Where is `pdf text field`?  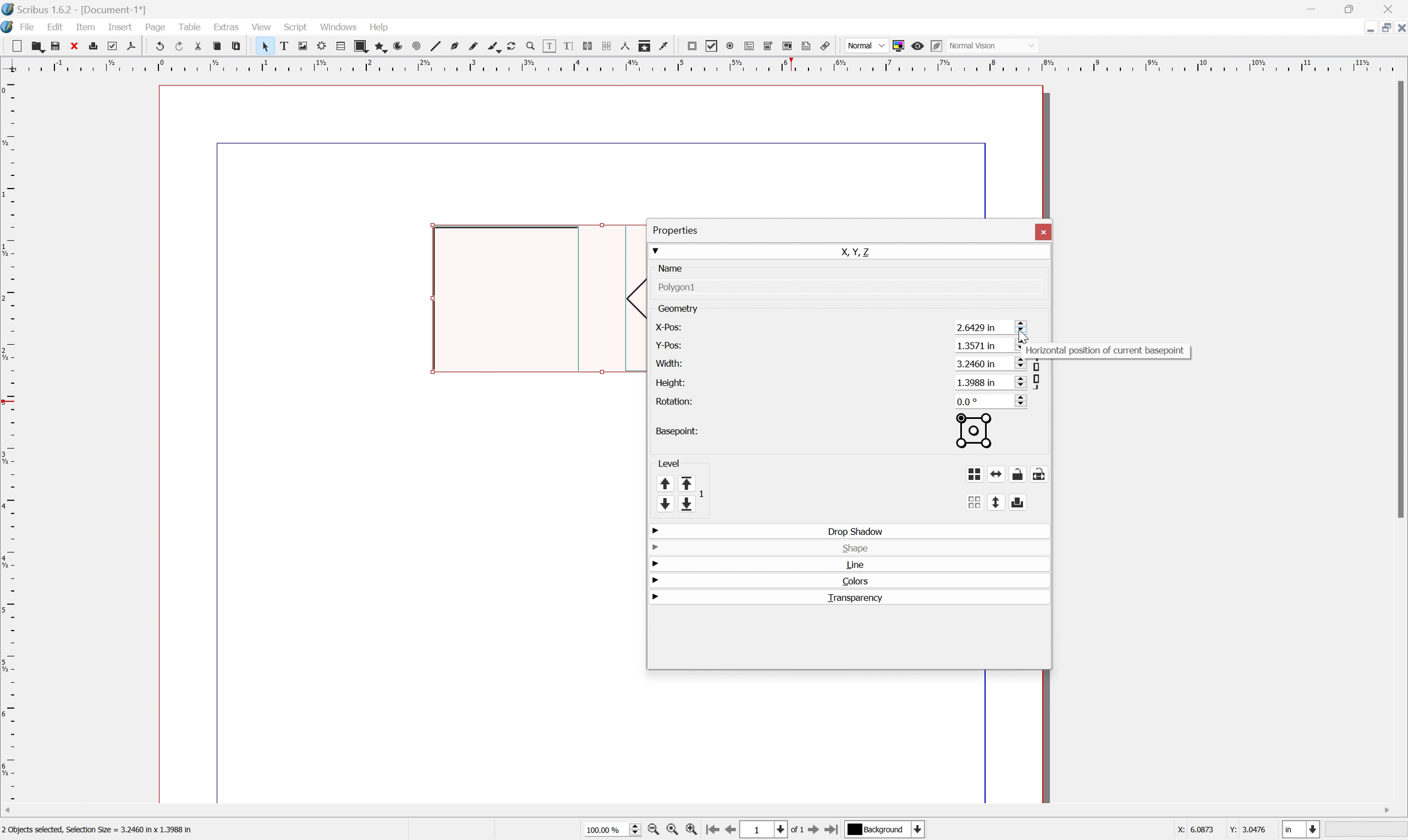 pdf text field is located at coordinates (748, 45).